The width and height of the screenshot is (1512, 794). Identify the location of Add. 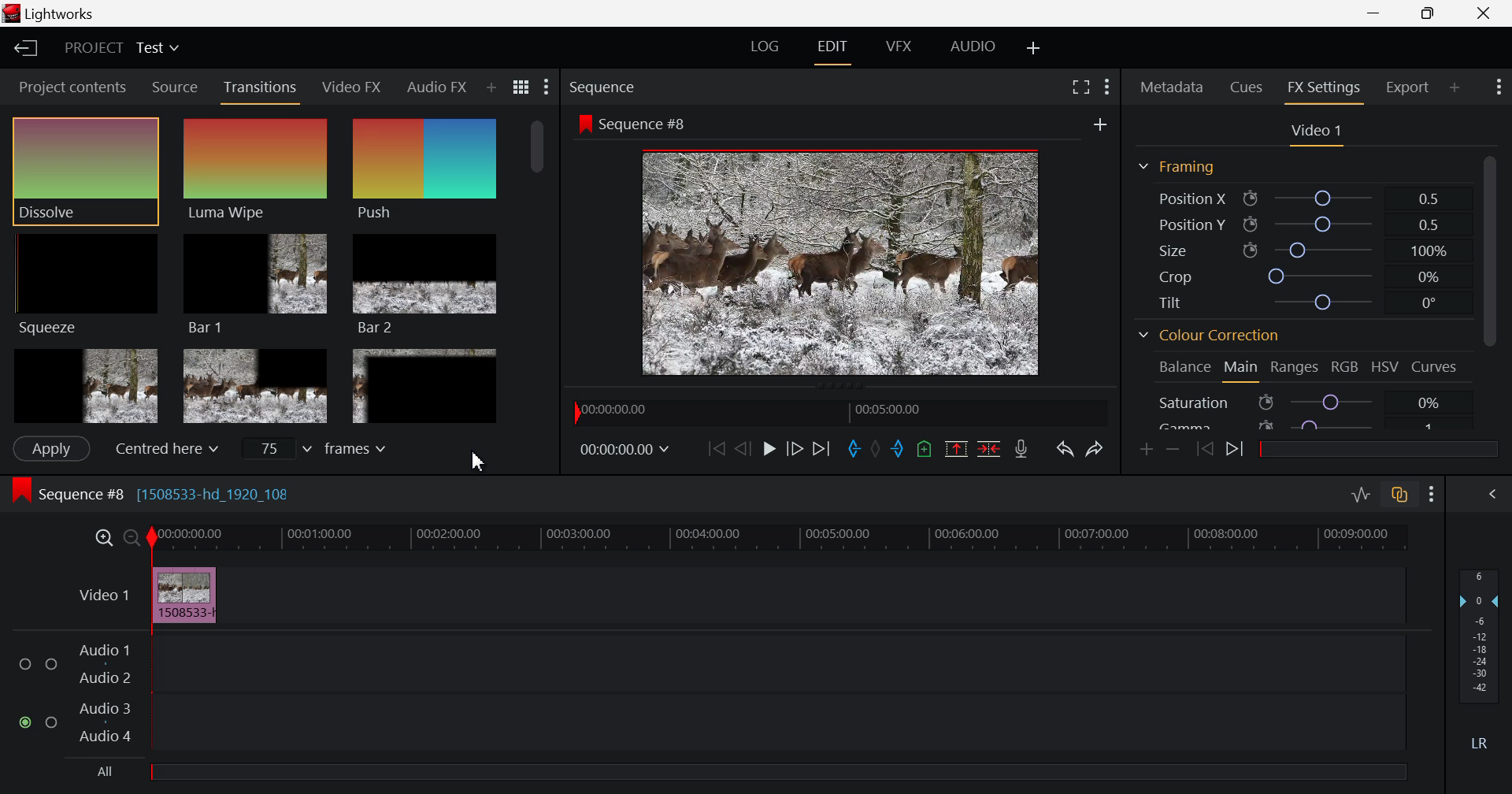
(1097, 124).